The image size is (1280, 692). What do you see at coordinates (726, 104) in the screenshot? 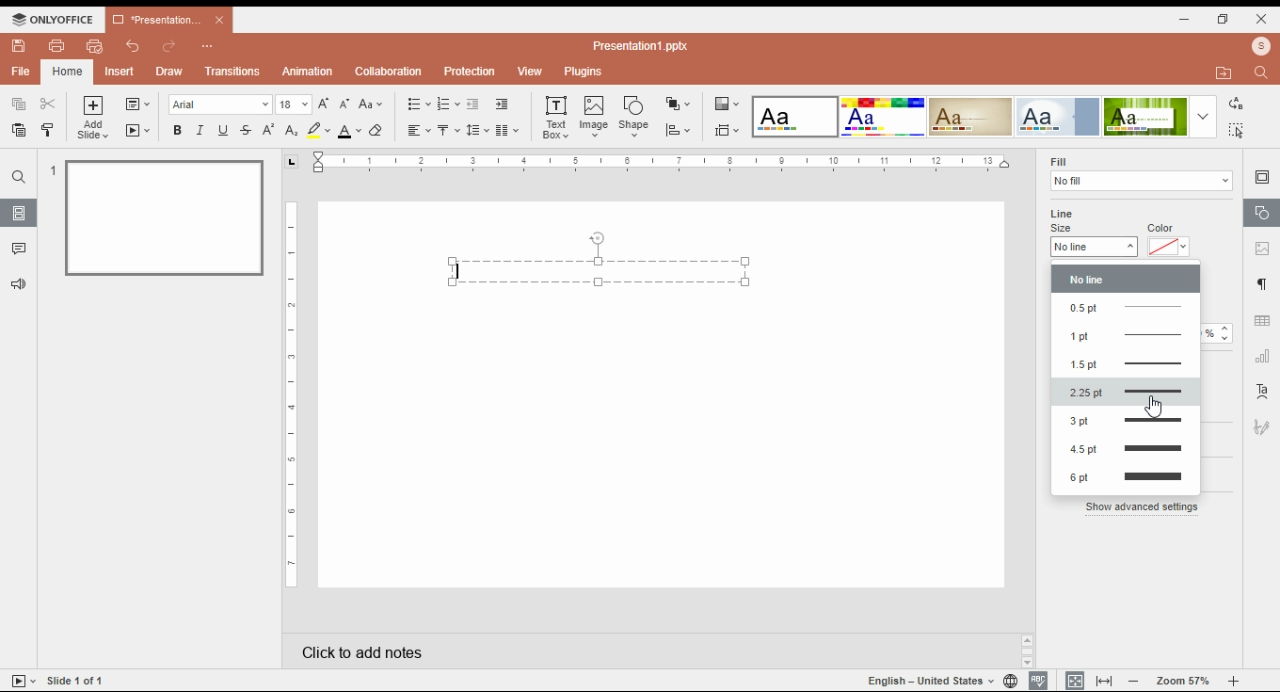
I see `color themes` at bounding box center [726, 104].